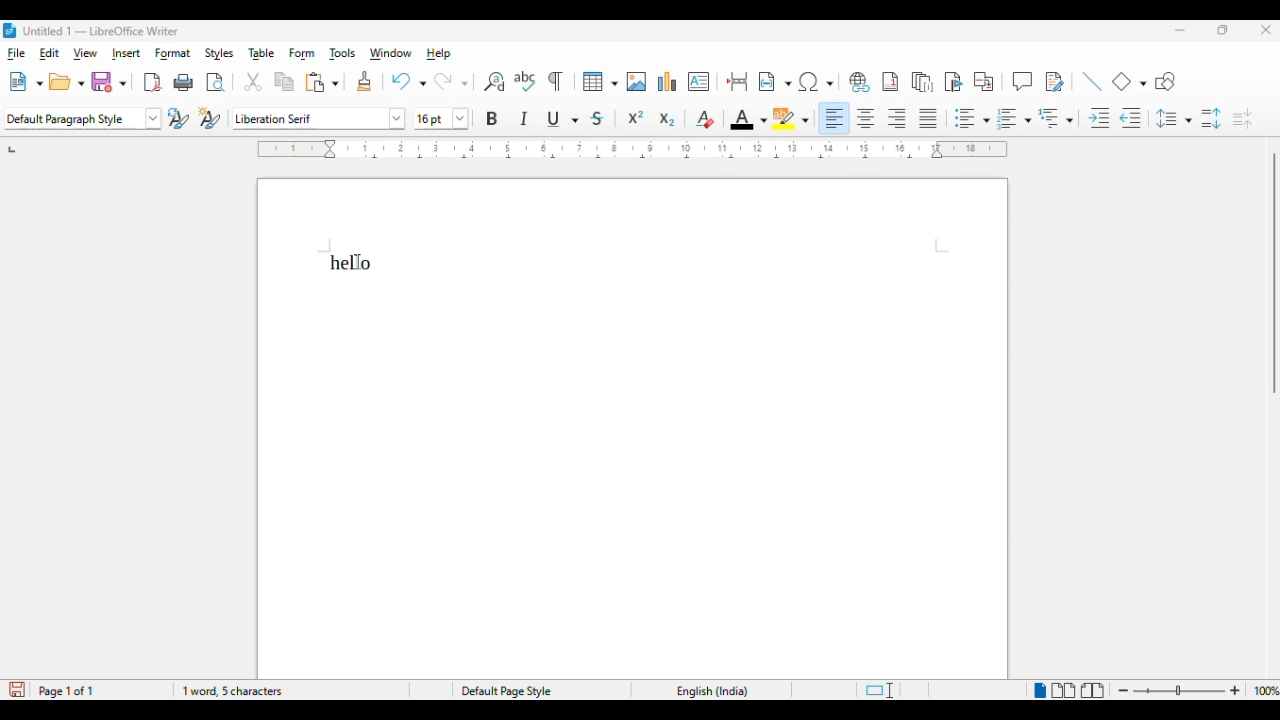 The image size is (1280, 720). What do you see at coordinates (878, 691) in the screenshot?
I see `standard selection` at bounding box center [878, 691].